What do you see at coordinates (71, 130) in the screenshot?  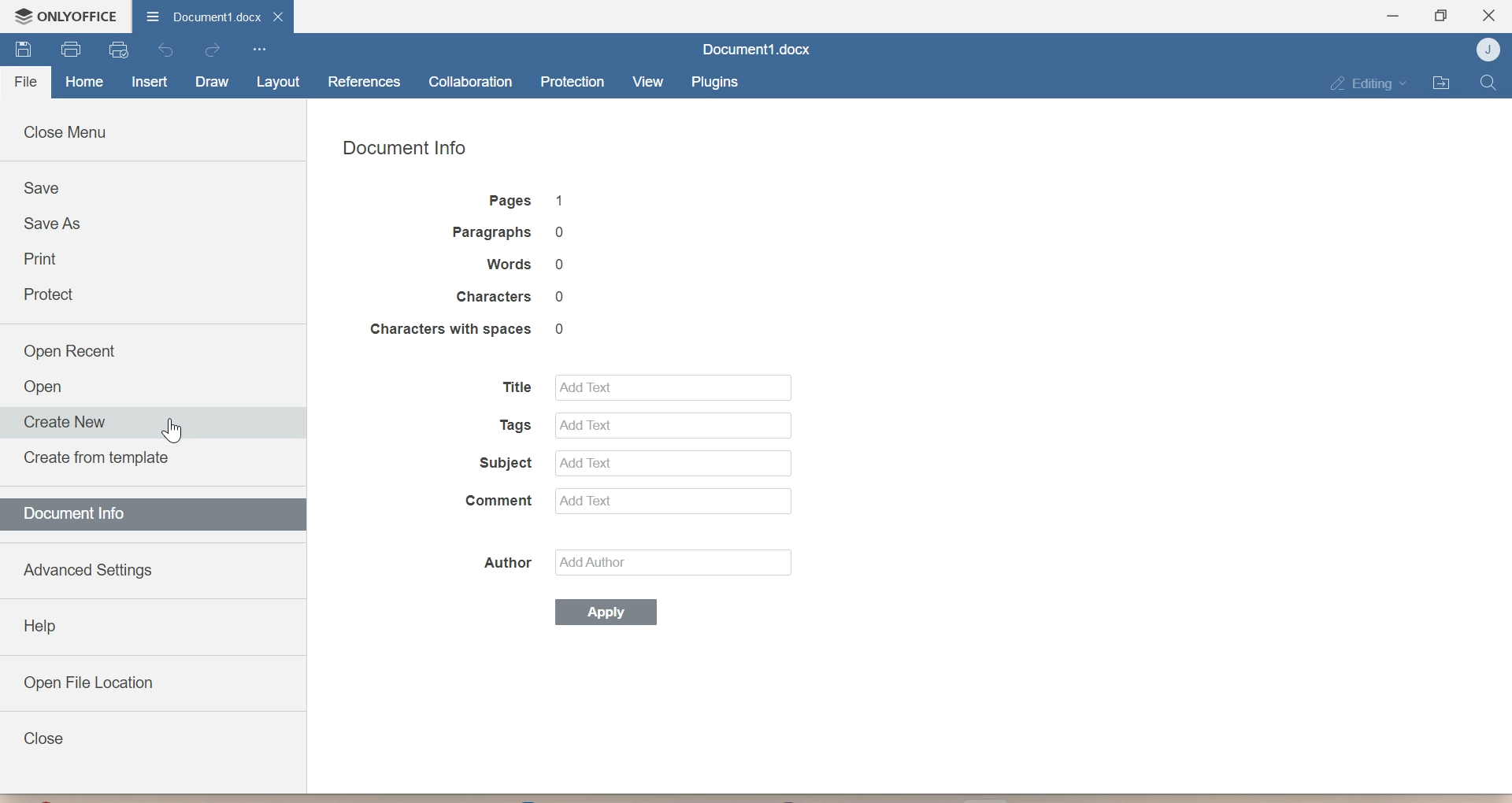 I see `Close menu` at bounding box center [71, 130].